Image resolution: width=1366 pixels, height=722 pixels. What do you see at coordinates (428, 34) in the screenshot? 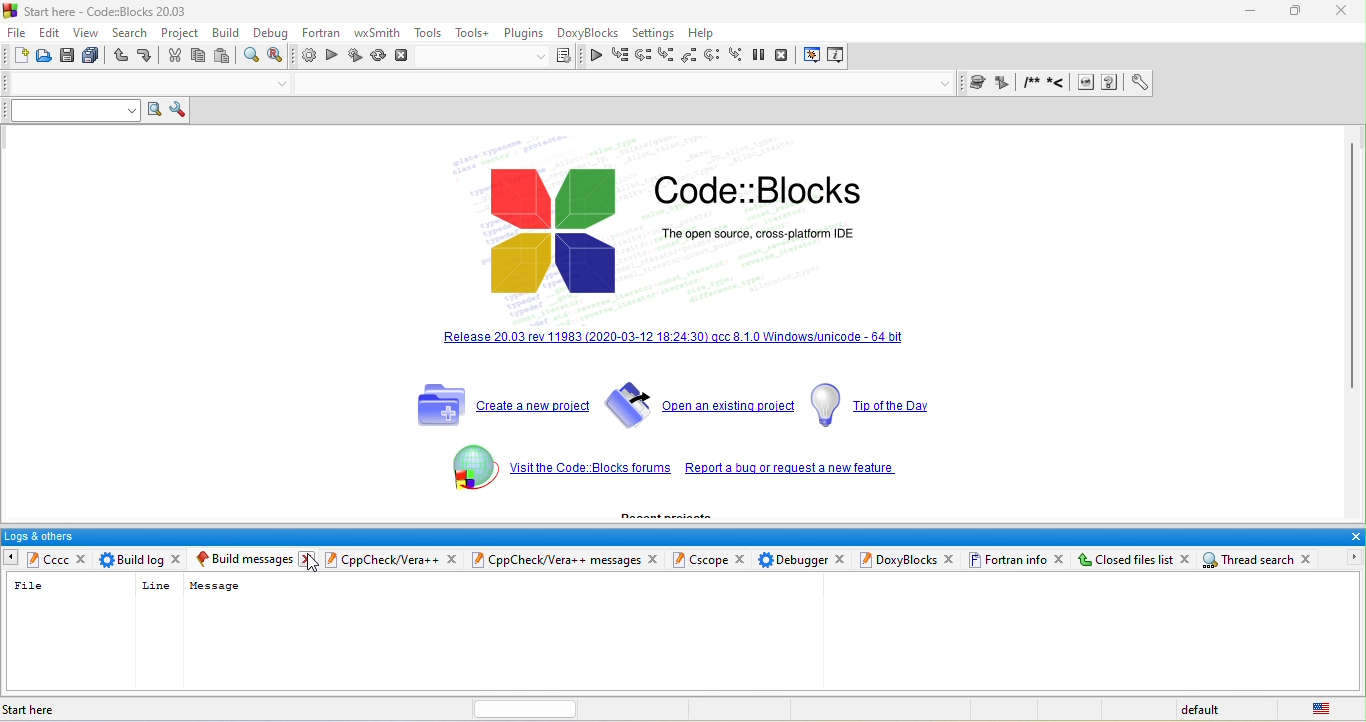
I see `tools` at bounding box center [428, 34].